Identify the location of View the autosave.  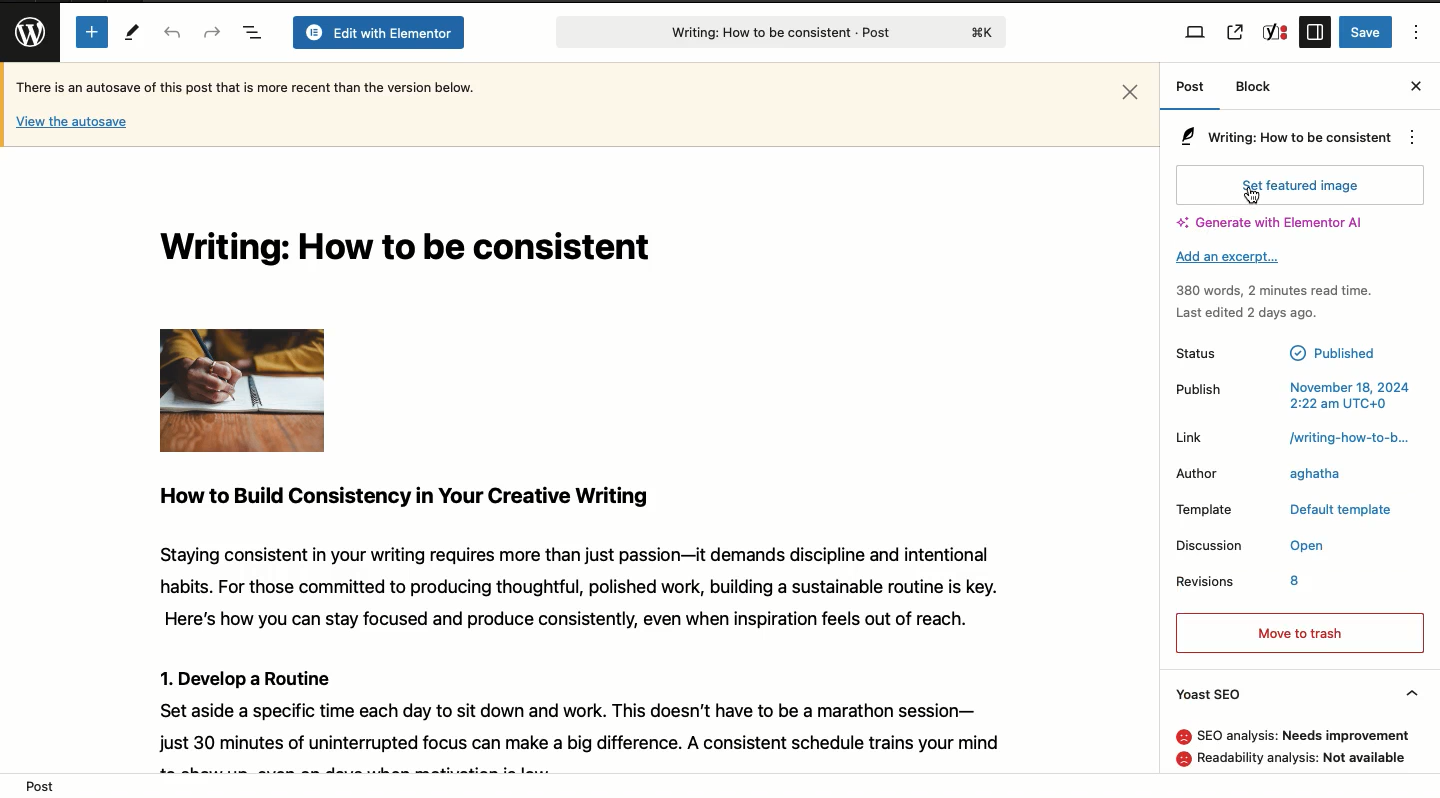
(72, 123).